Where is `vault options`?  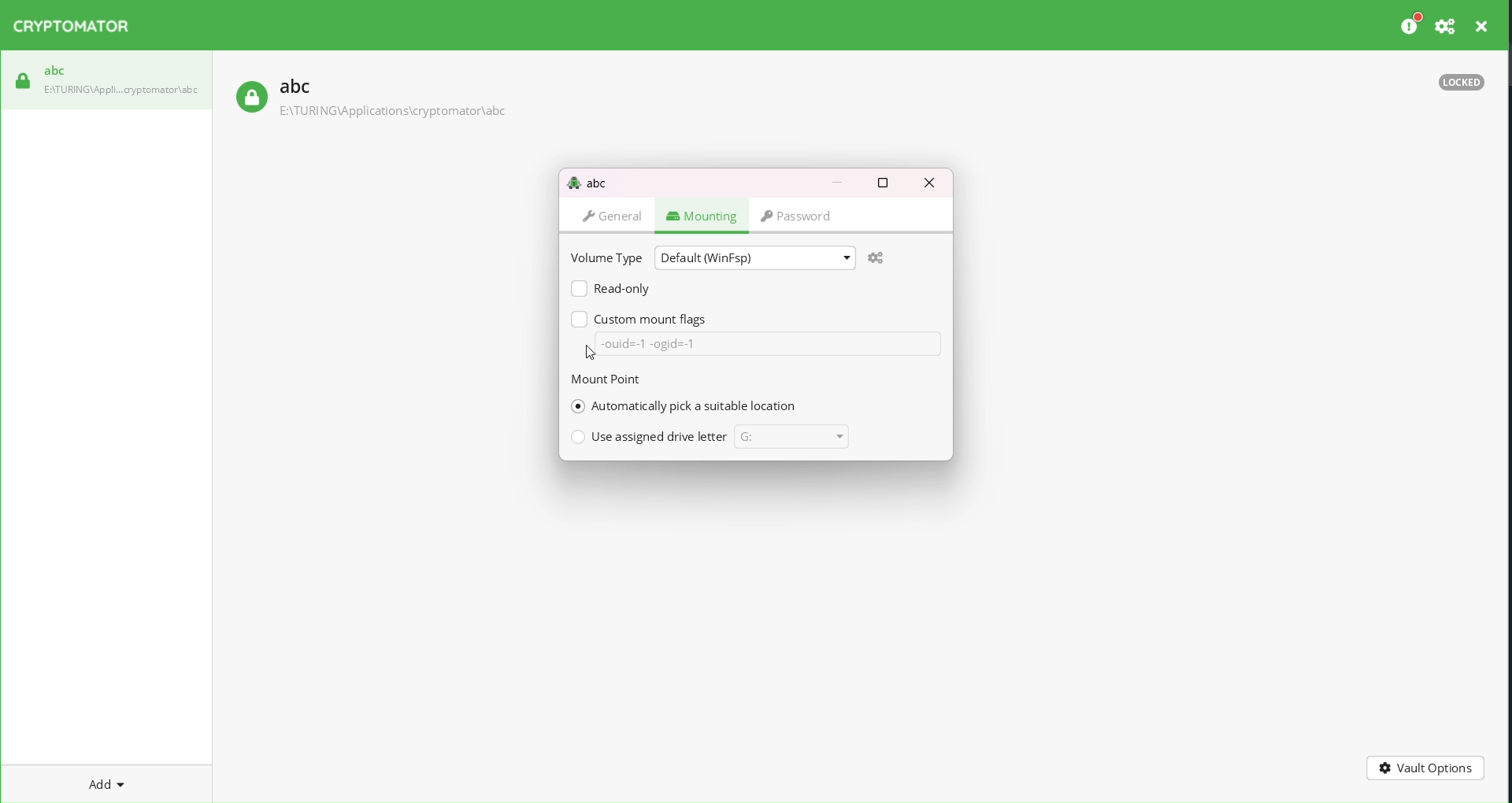
vault options is located at coordinates (1424, 766).